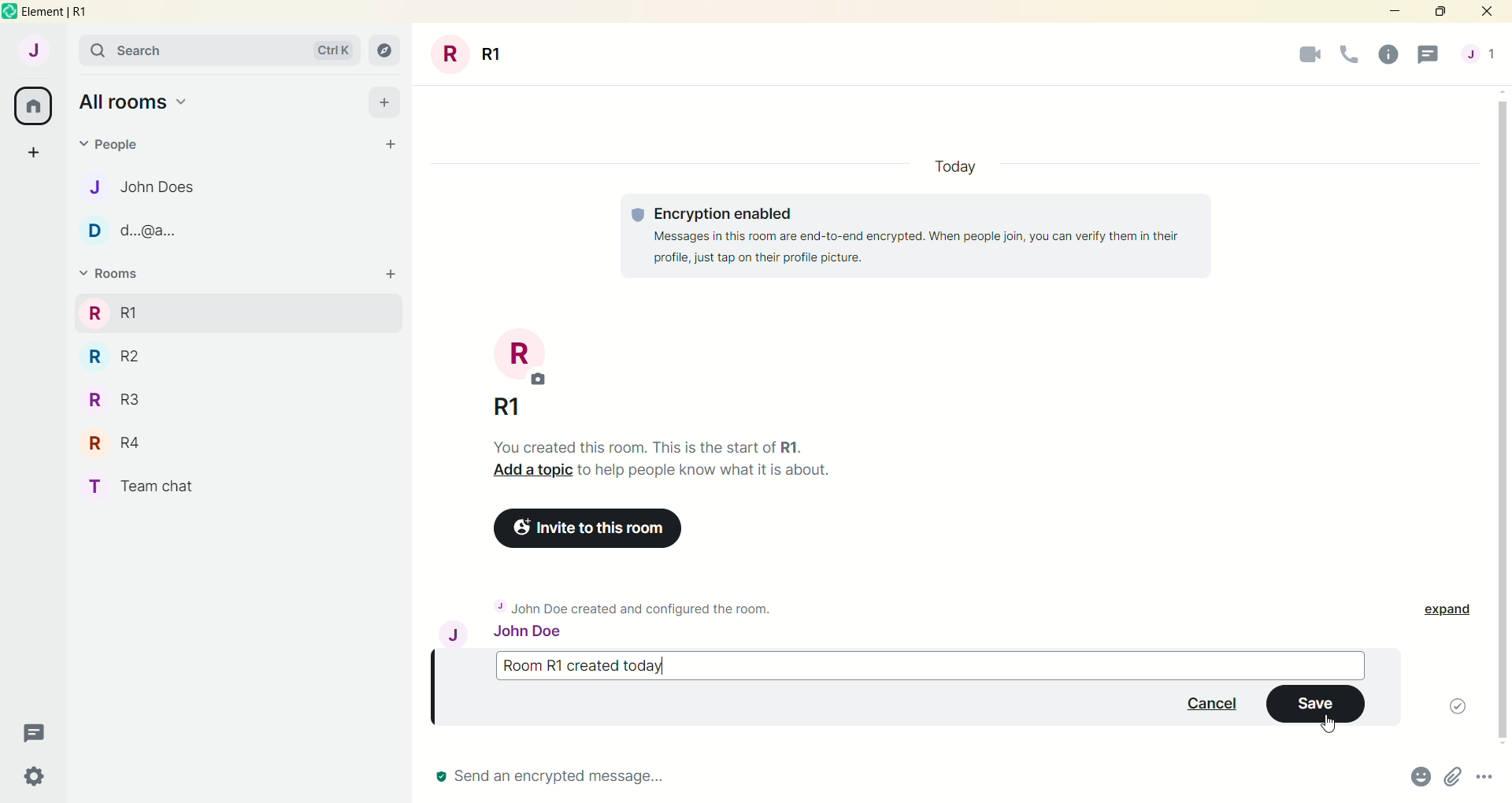  Describe the element at coordinates (9, 13) in the screenshot. I see `logo` at that location.